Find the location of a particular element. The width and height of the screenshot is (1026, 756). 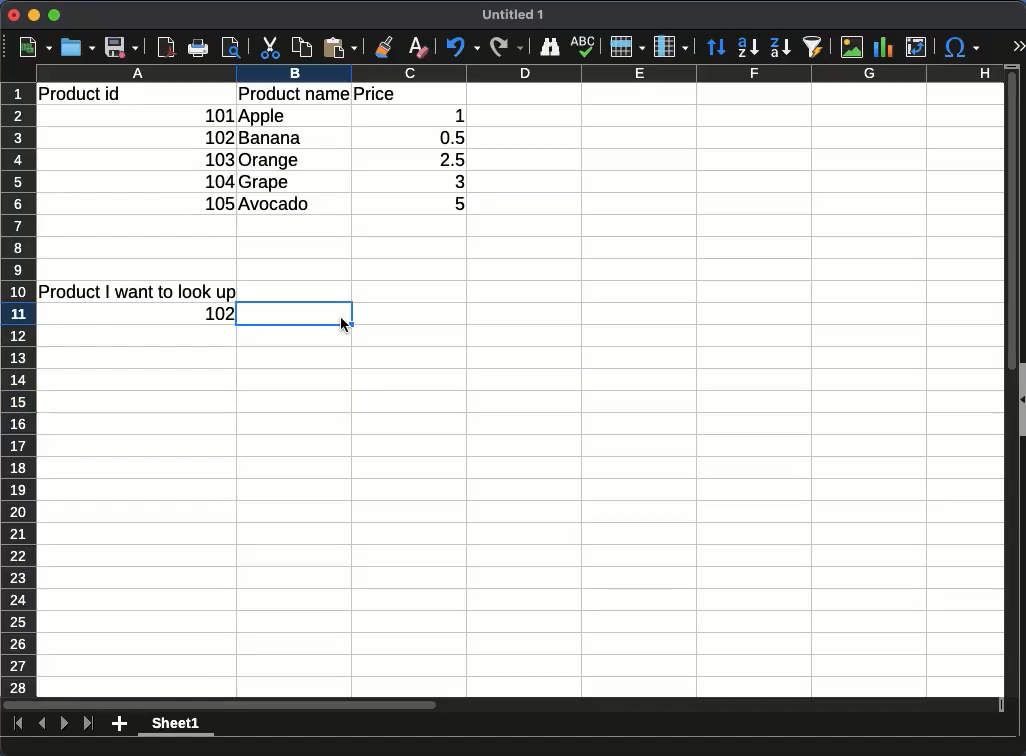

1 is located at coordinates (449, 116).